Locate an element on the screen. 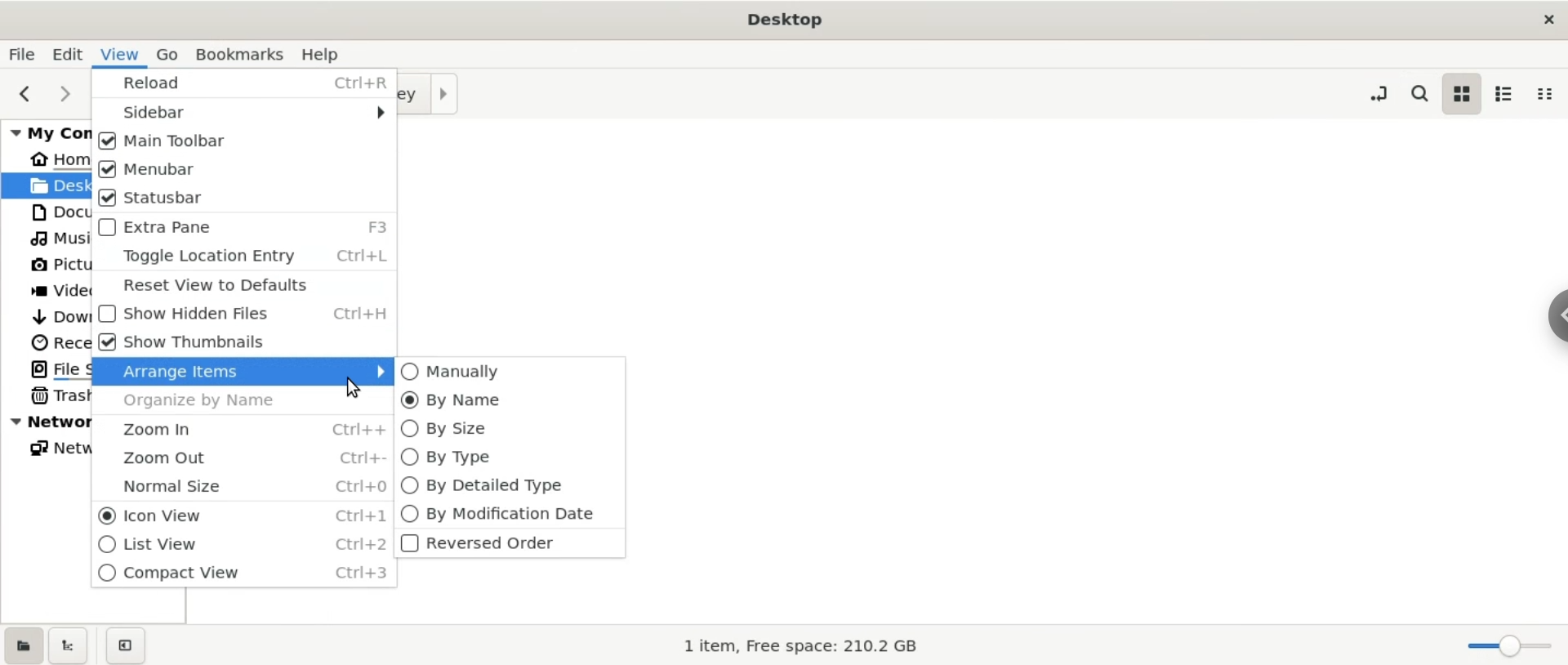 The height and width of the screenshot is (665, 1568). list view is located at coordinates (1507, 91).